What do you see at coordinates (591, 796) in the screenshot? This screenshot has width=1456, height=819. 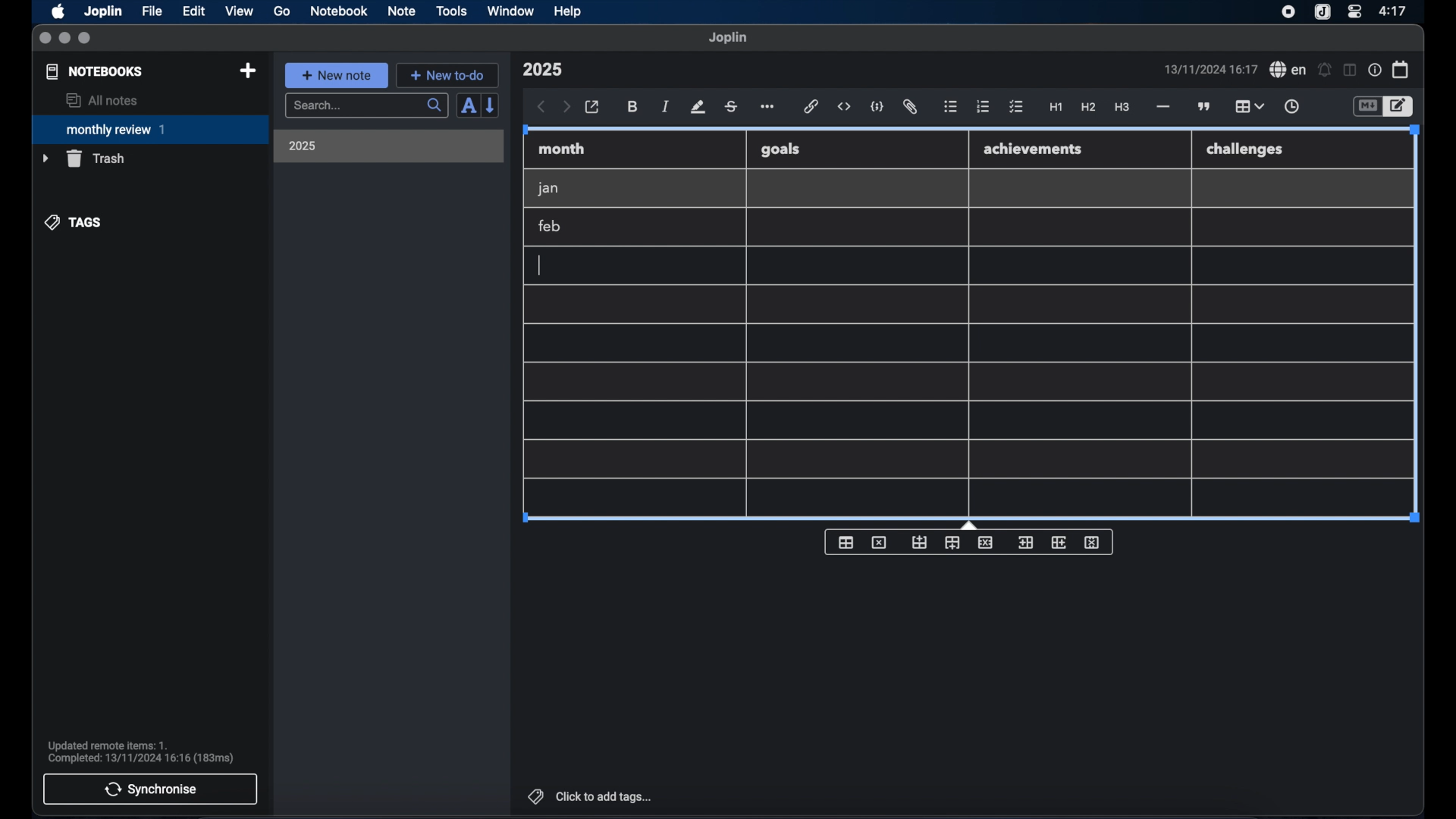 I see `click to add tags` at bounding box center [591, 796].